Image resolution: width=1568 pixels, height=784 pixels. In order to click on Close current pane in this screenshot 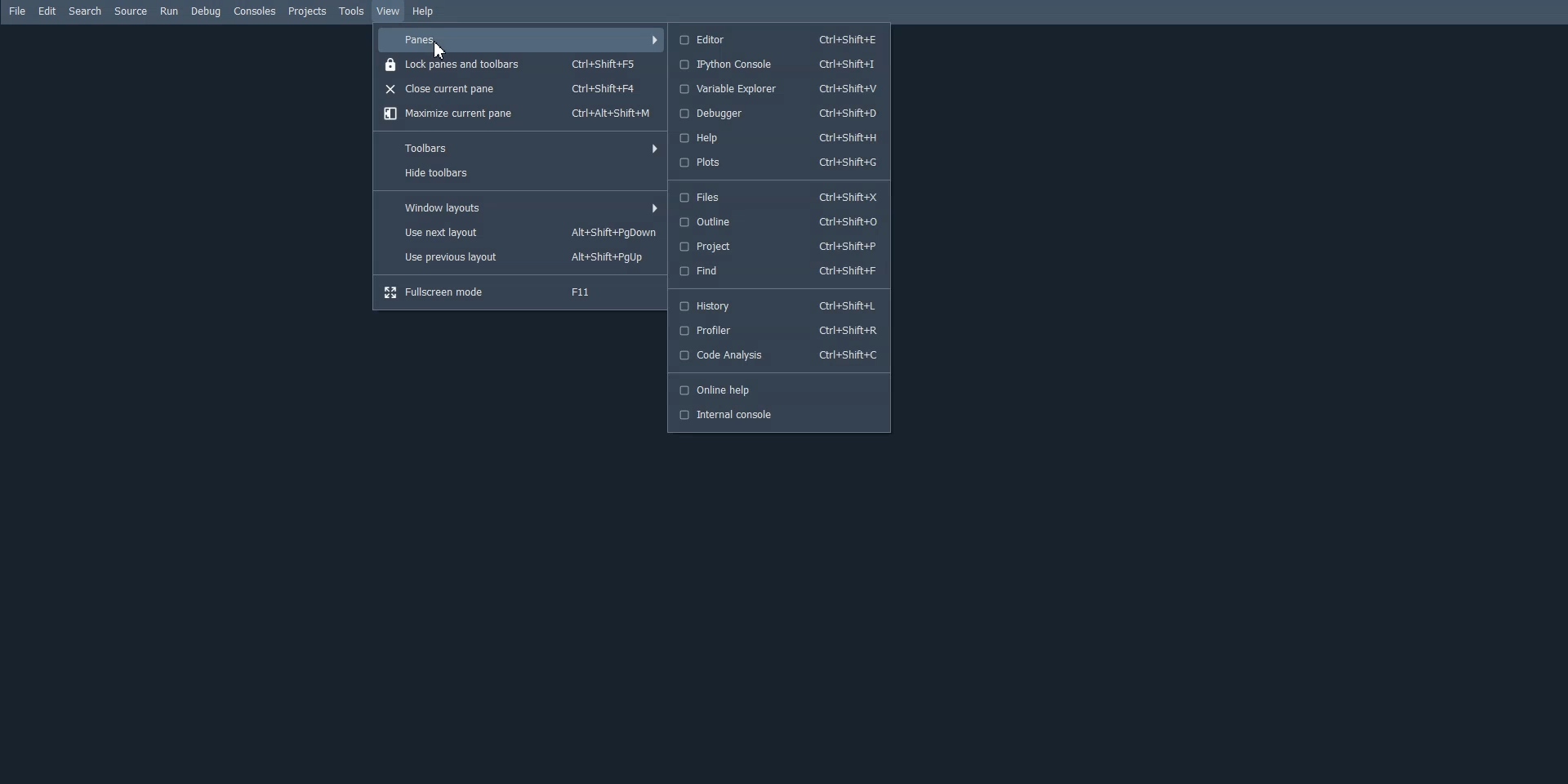, I will do `click(523, 88)`.